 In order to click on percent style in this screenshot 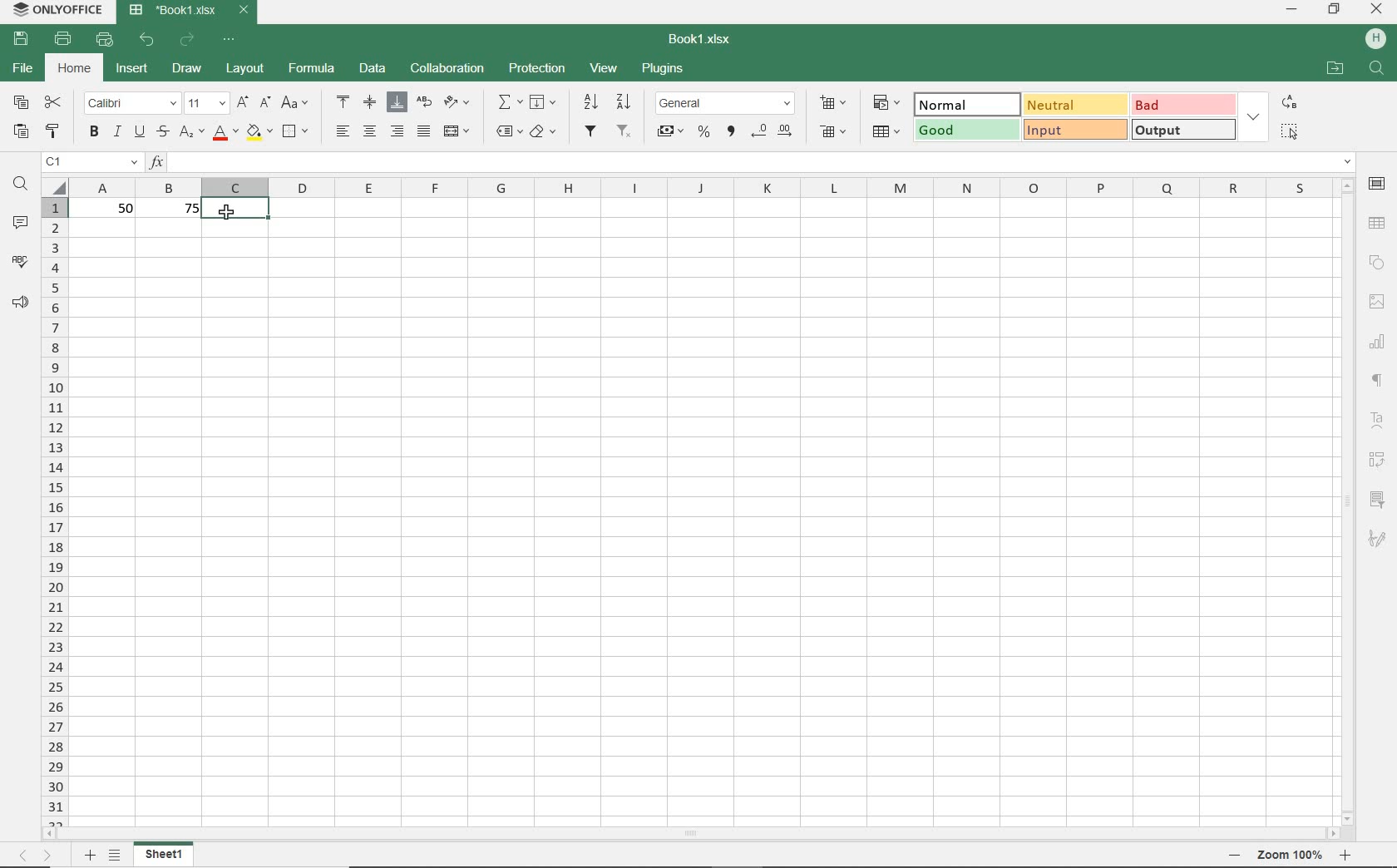, I will do `click(705, 133)`.